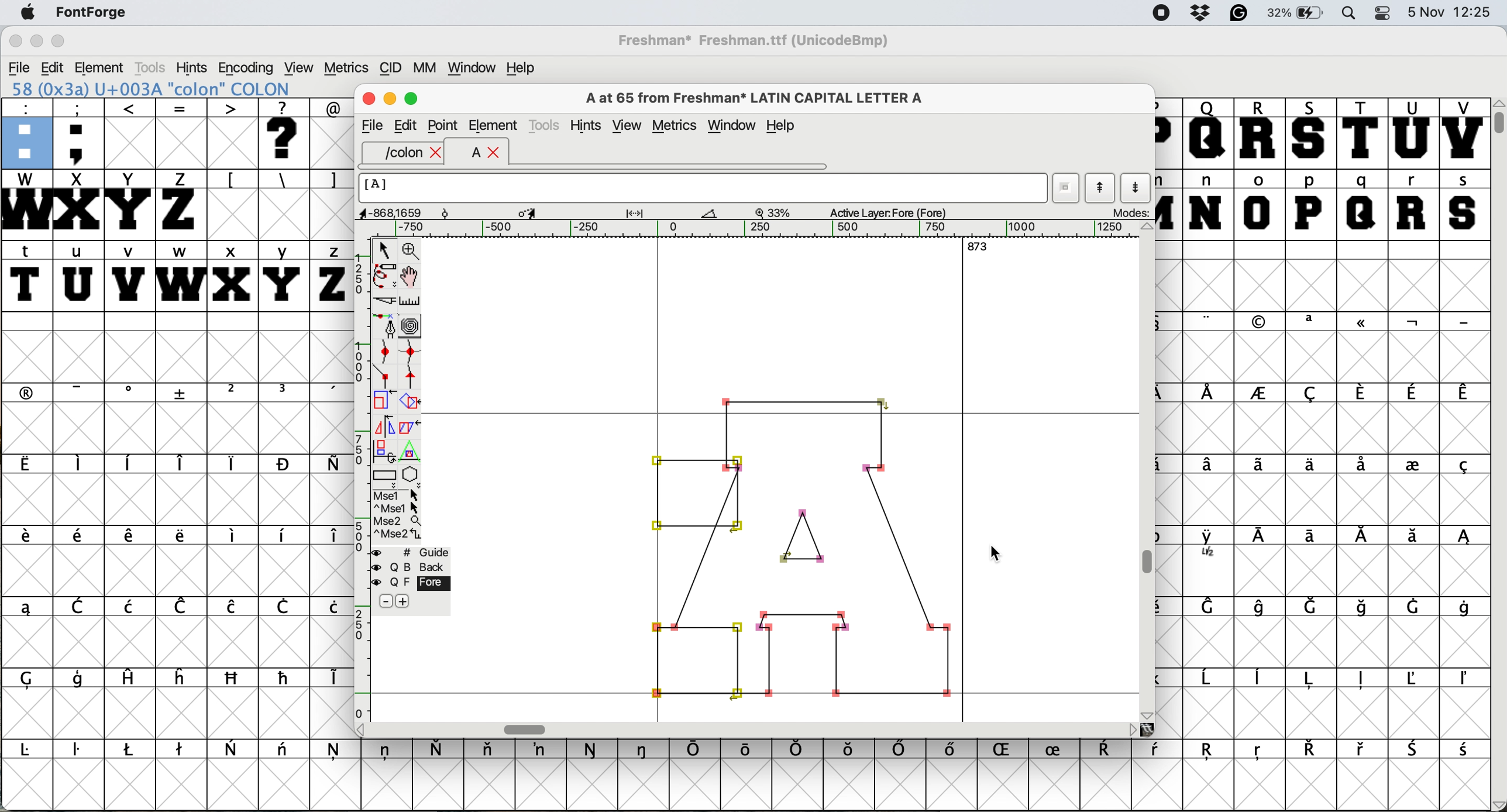  Describe the element at coordinates (386, 472) in the screenshot. I see `rectangle or box` at that location.